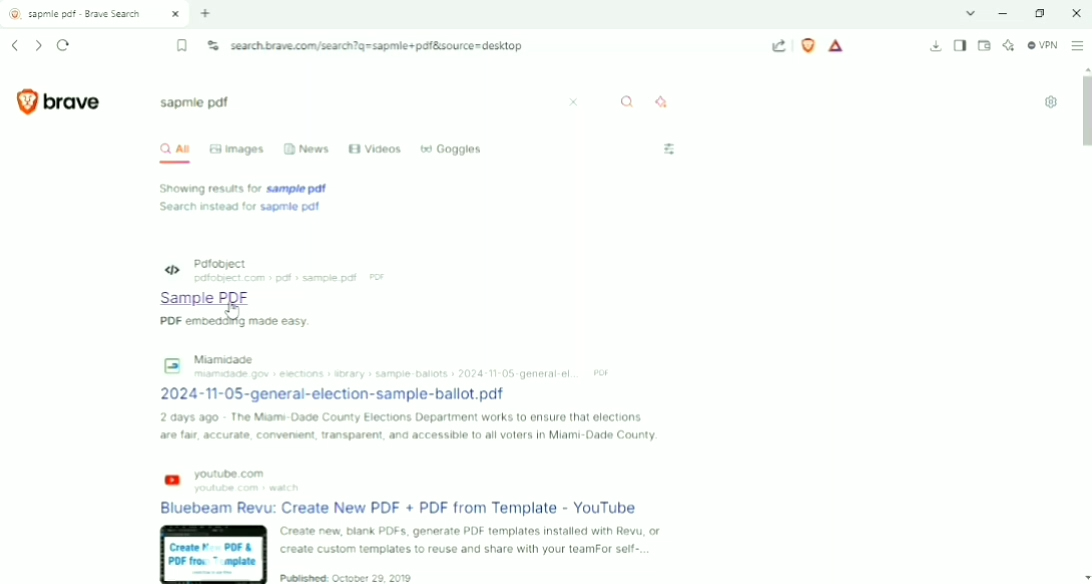 This screenshot has width=1092, height=584. What do you see at coordinates (971, 13) in the screenshot?
I see `Search Tabs` at bounding box center [971, 13].